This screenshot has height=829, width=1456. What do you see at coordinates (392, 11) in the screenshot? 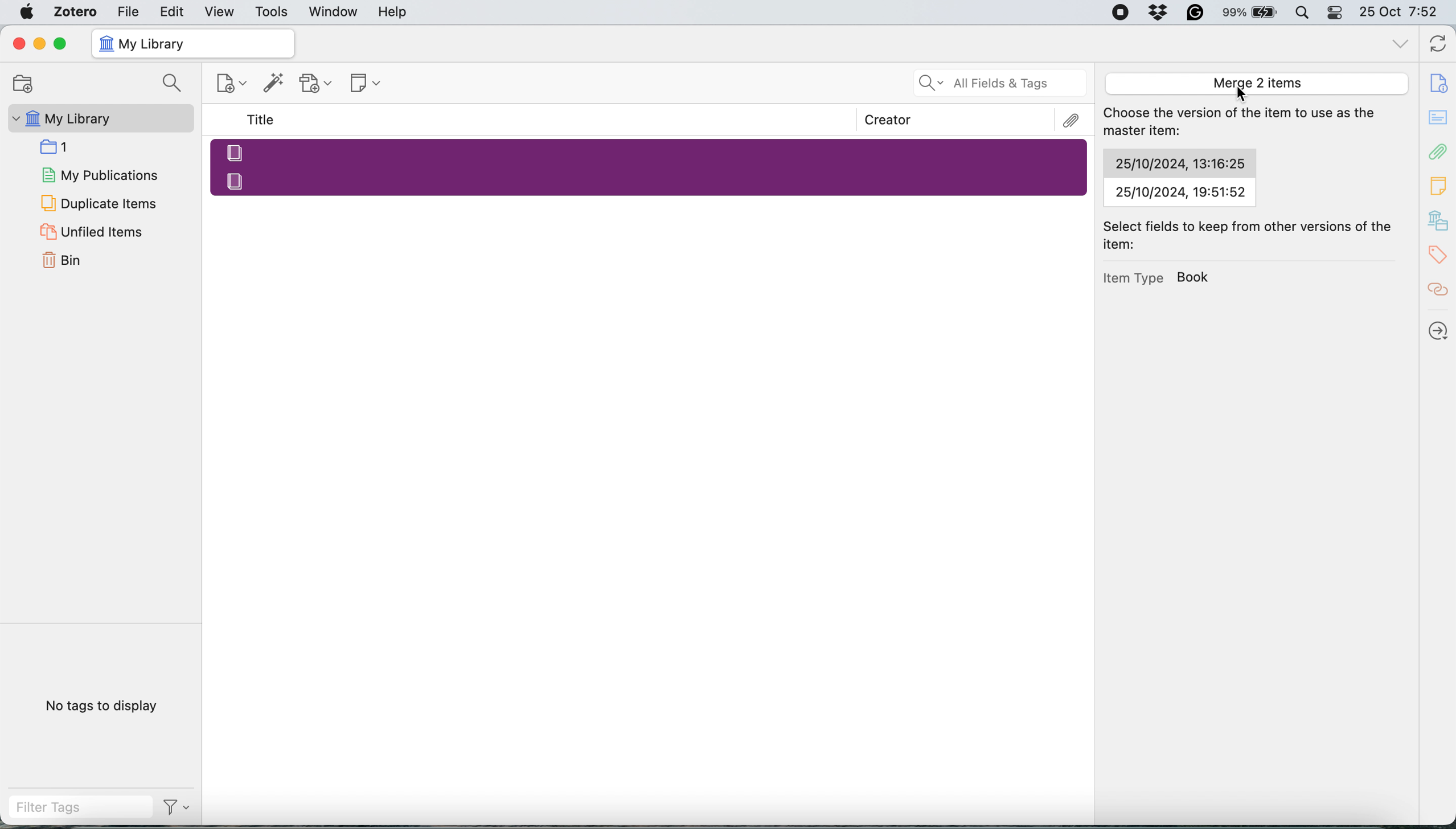
I see `Help` at bounding box center [392, 11].